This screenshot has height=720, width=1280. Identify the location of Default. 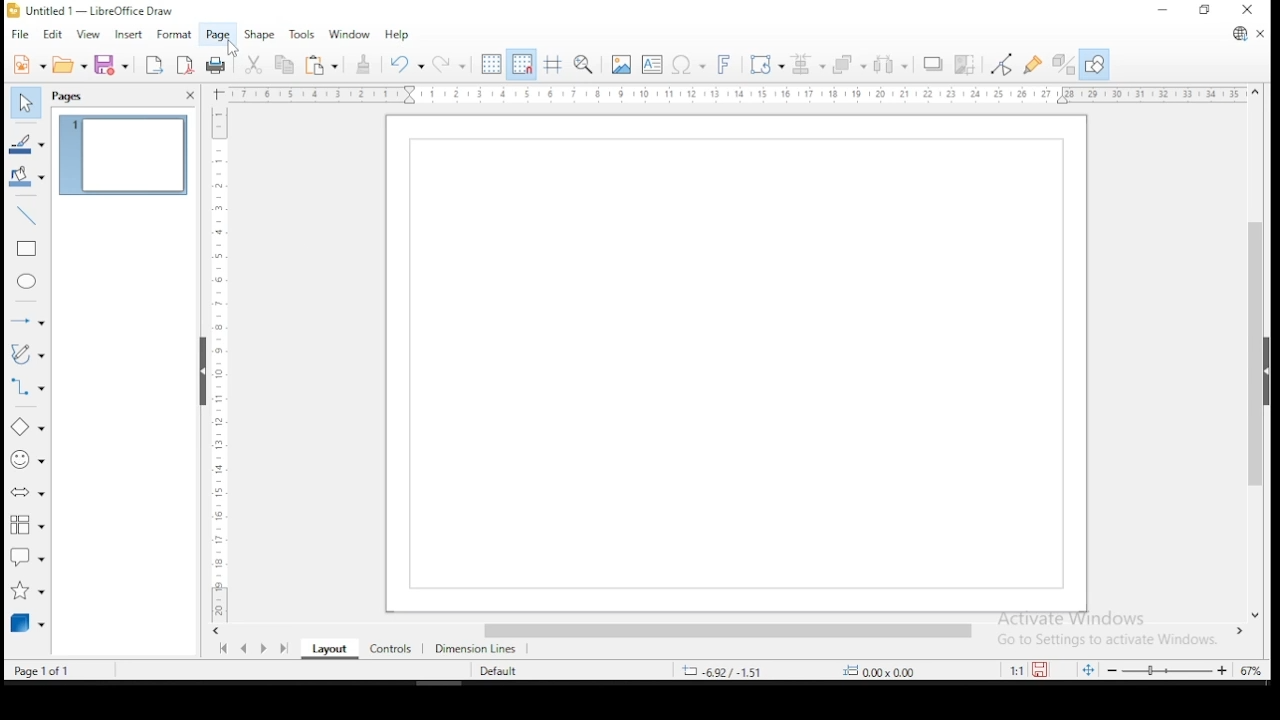
(506, 670).